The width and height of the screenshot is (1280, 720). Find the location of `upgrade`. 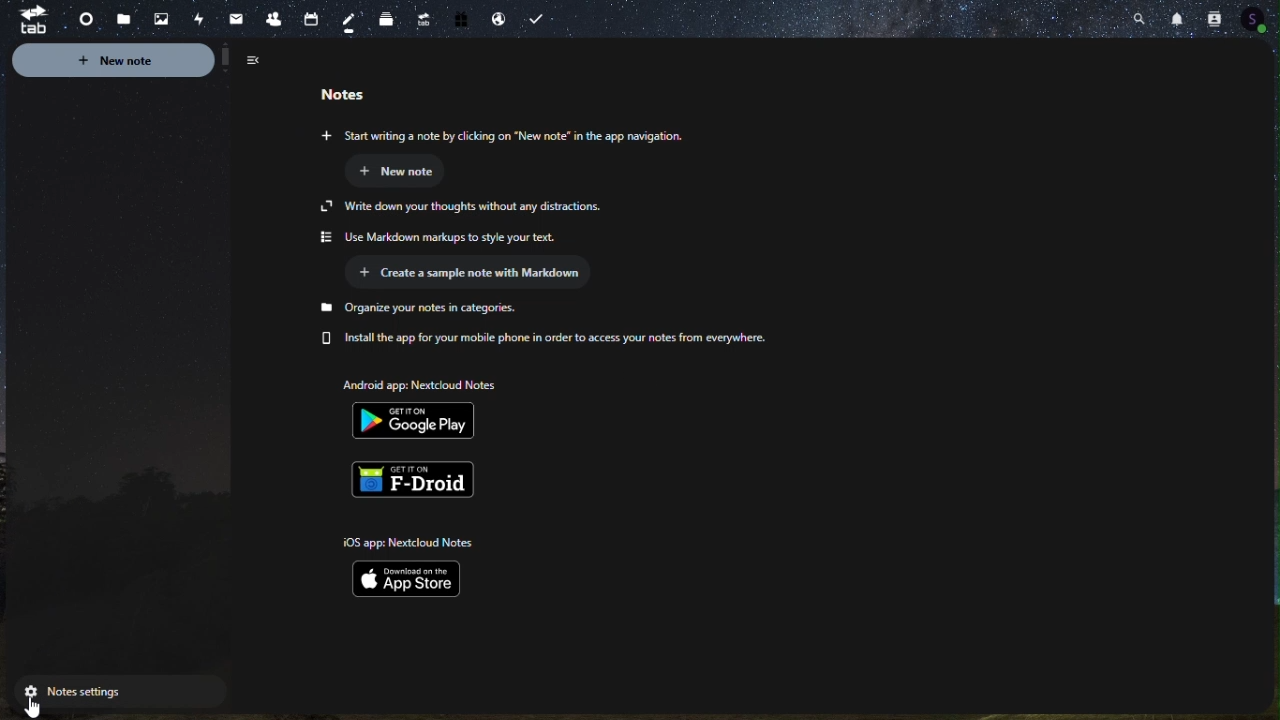

upgrade is located at coordinates (422, 17).